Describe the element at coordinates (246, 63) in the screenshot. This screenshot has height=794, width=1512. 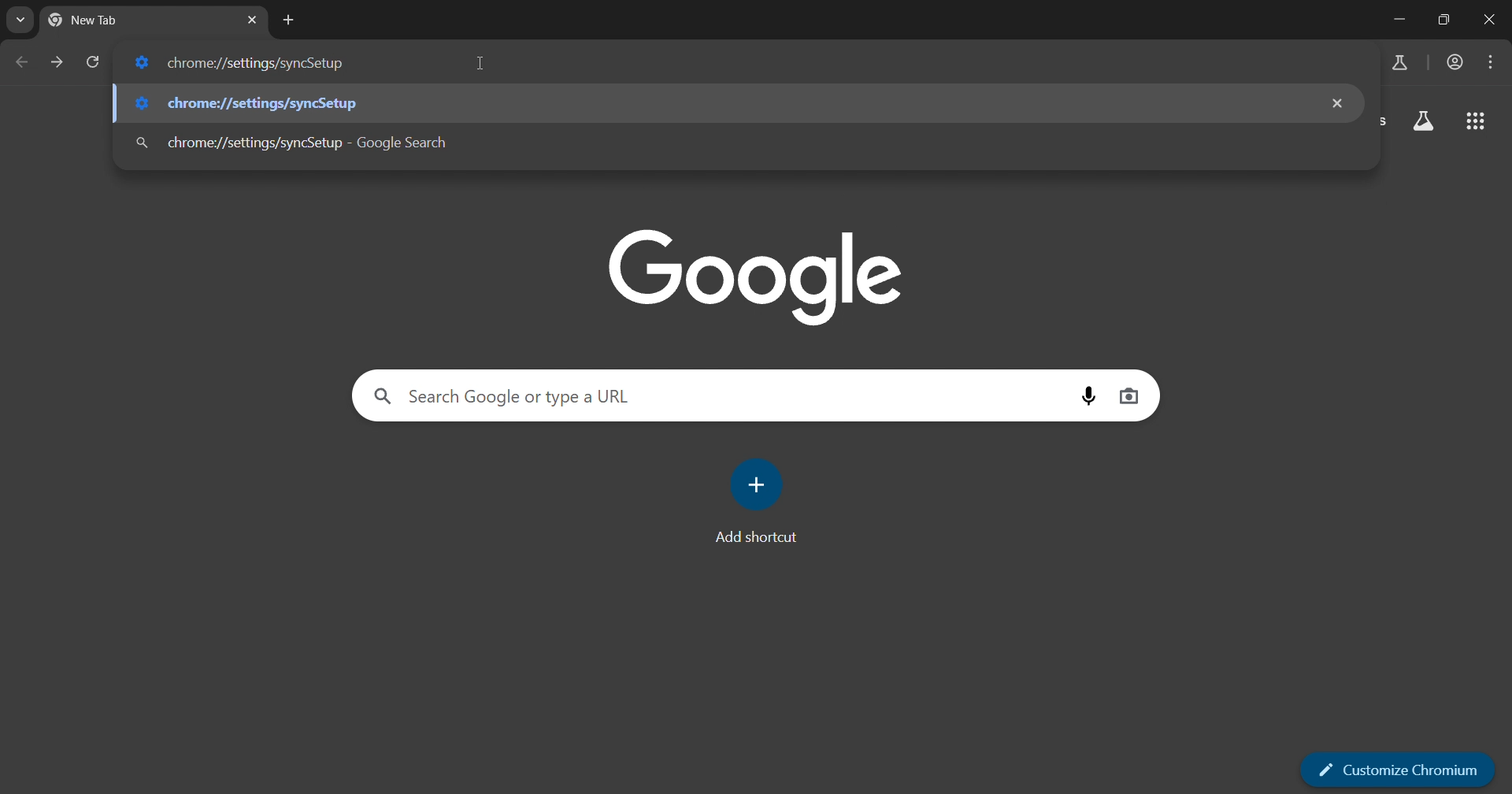
I see `chrome://settingd/syncSetup` at that location.